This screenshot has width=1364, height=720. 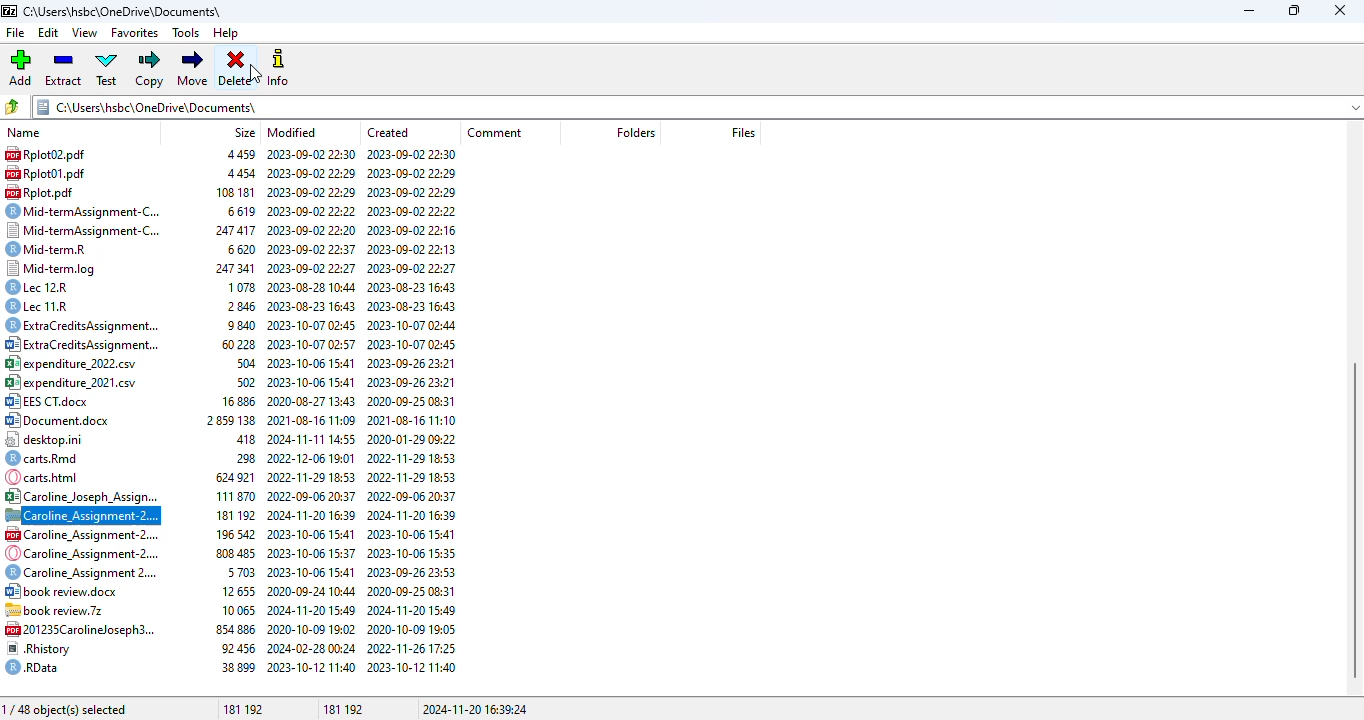 What do you see at coordinates (106, 68) in the screenshot?
I see `test` at bounding box center [106, 68].